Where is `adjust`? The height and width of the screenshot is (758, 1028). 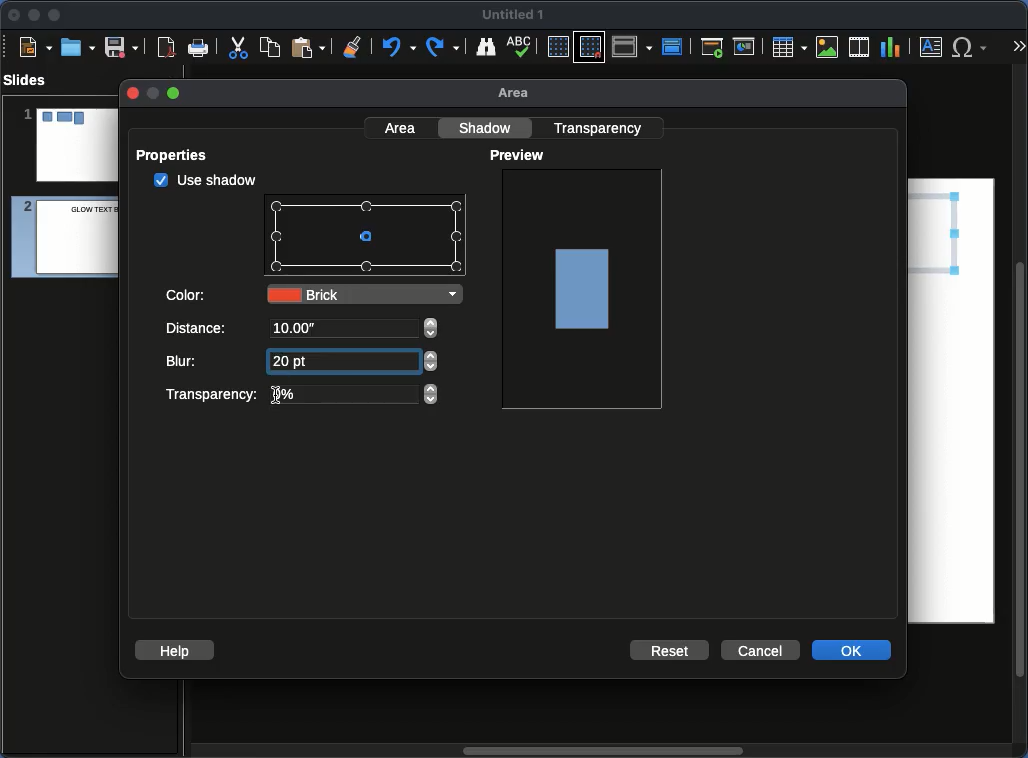 adjust is located at coordinates (431, 329).